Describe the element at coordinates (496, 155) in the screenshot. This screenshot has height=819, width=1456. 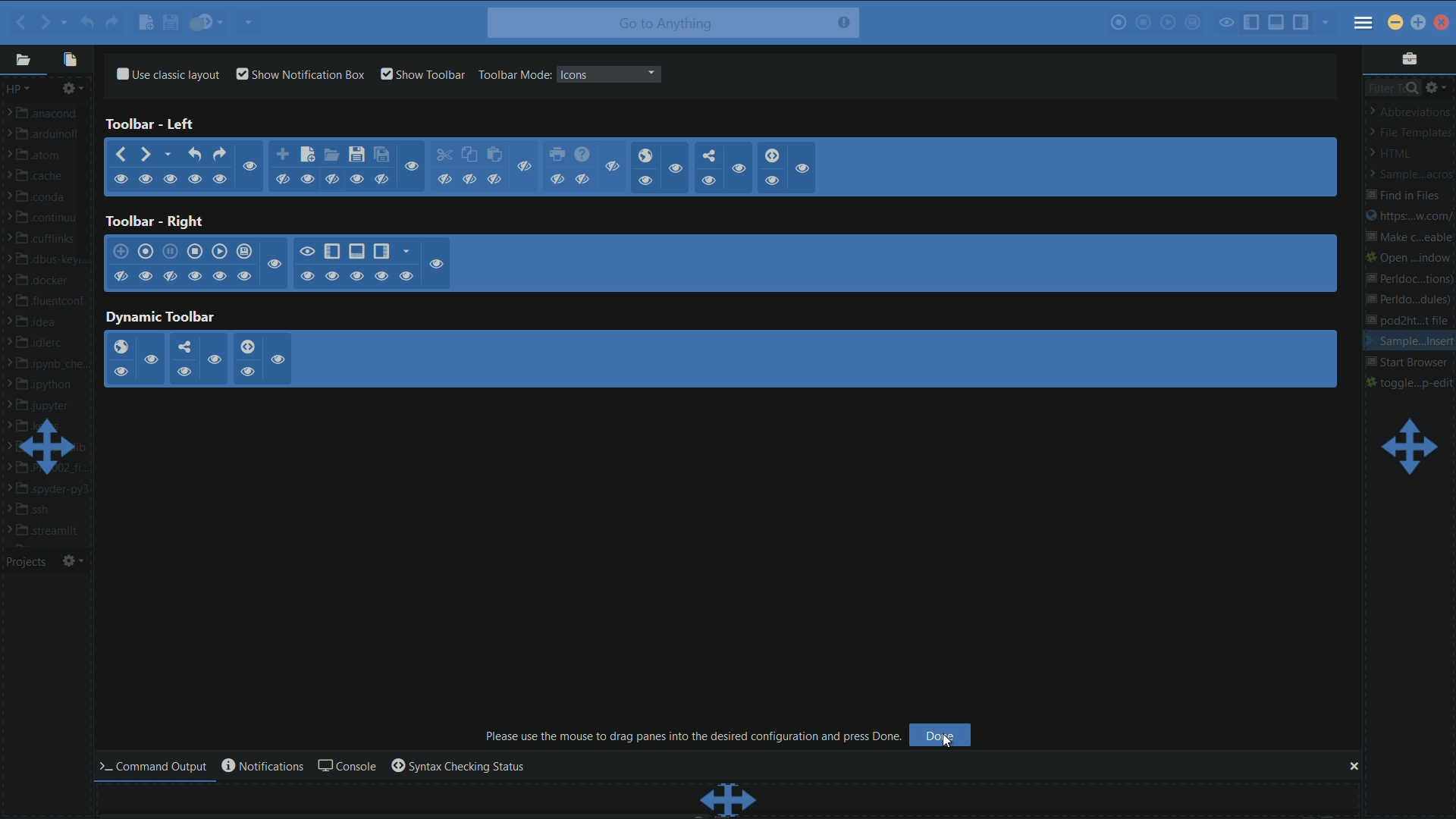
I see `paste` at that location.